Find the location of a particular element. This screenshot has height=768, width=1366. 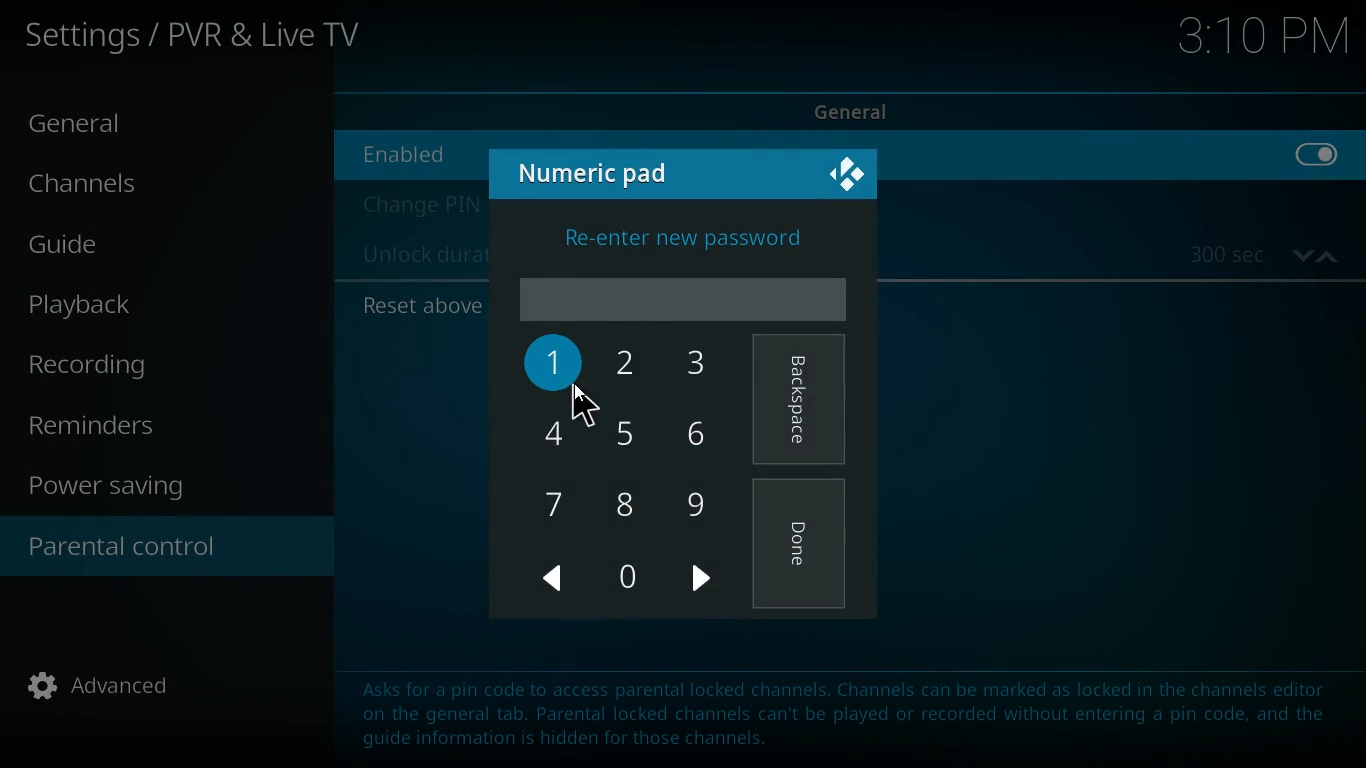

3 is located at coordinates (699, 363).